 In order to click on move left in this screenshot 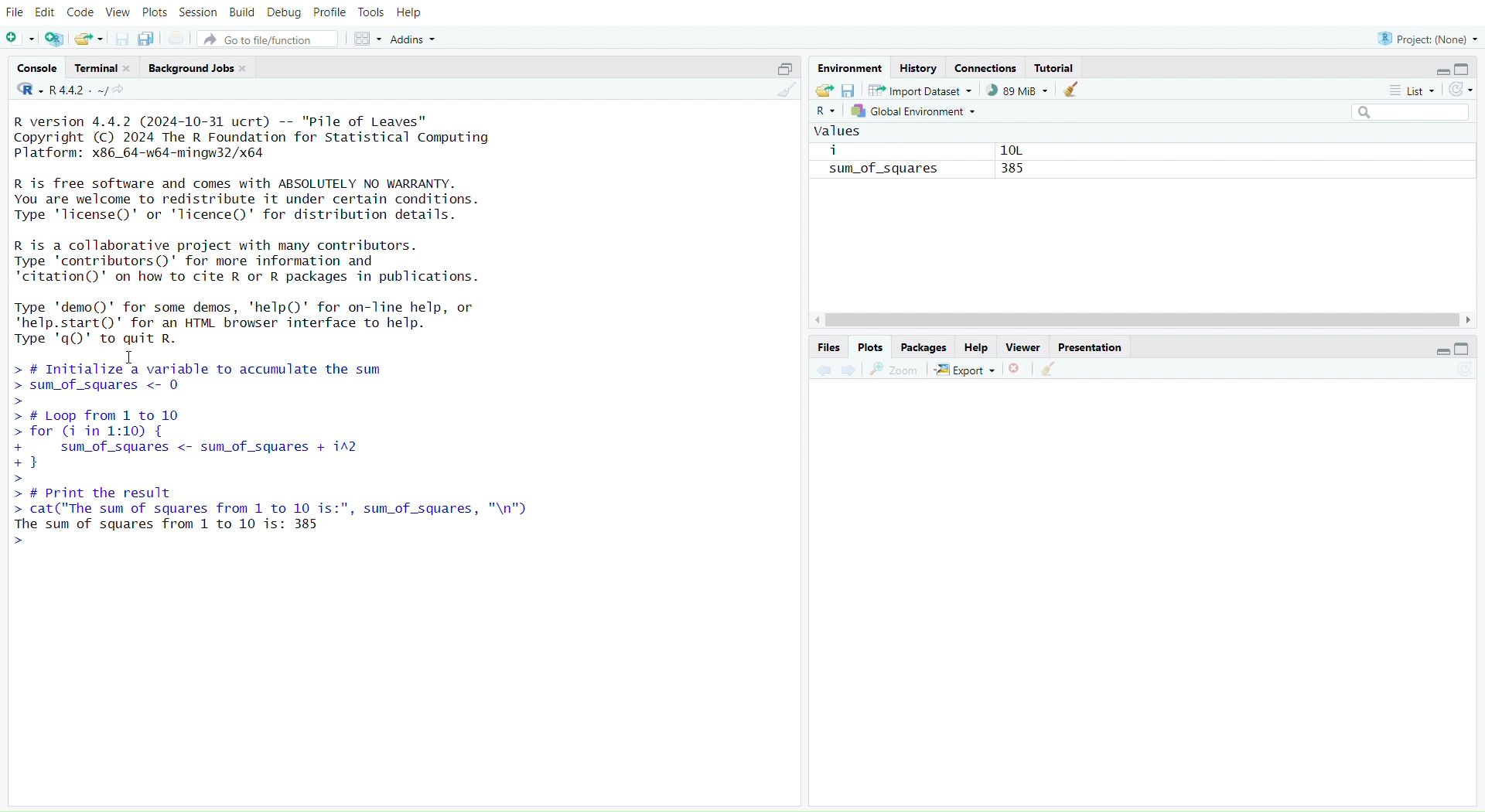, I will do `click(818, 319)`.